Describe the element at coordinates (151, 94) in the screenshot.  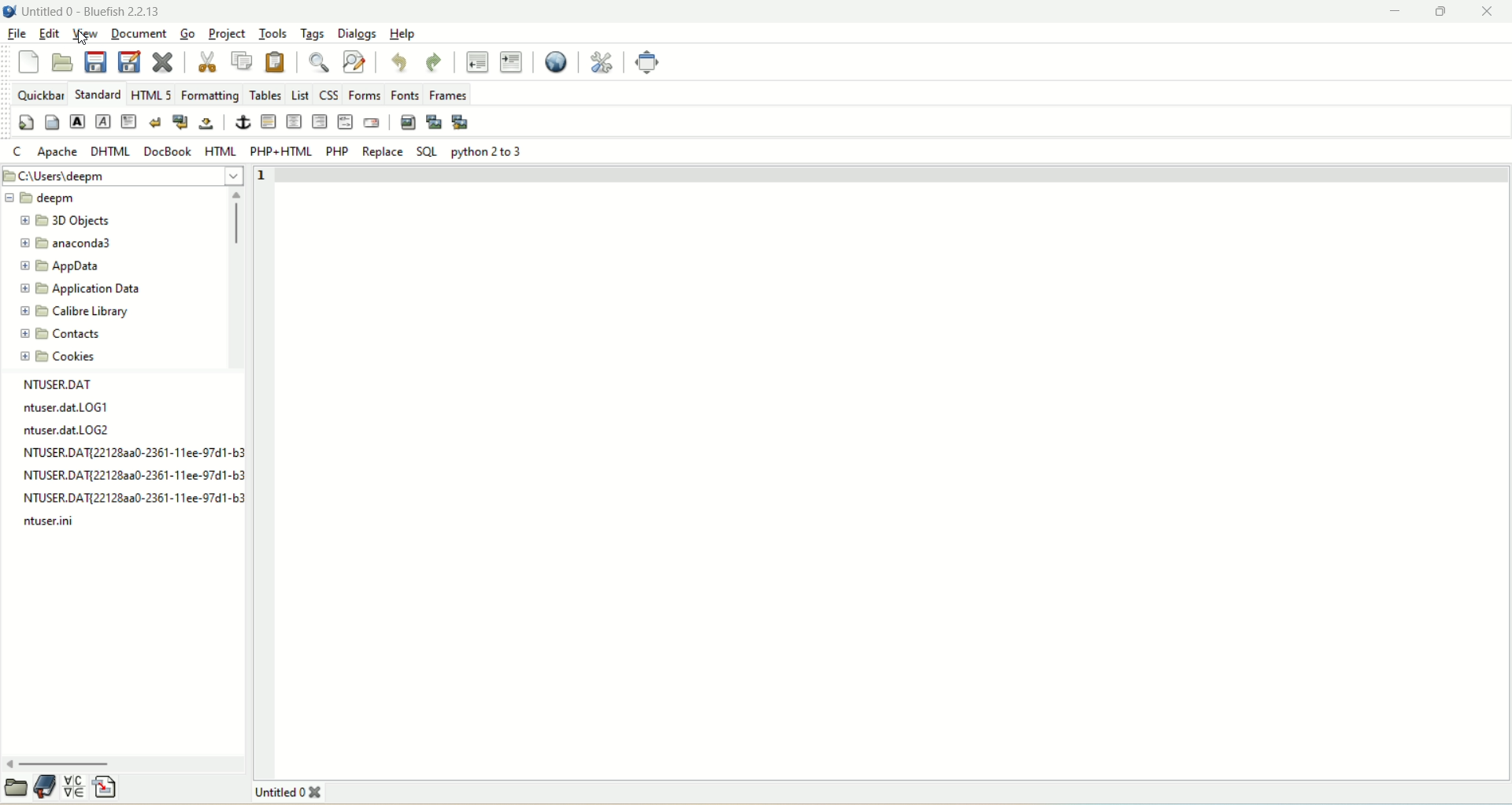
I see `HTML 5` at that location.